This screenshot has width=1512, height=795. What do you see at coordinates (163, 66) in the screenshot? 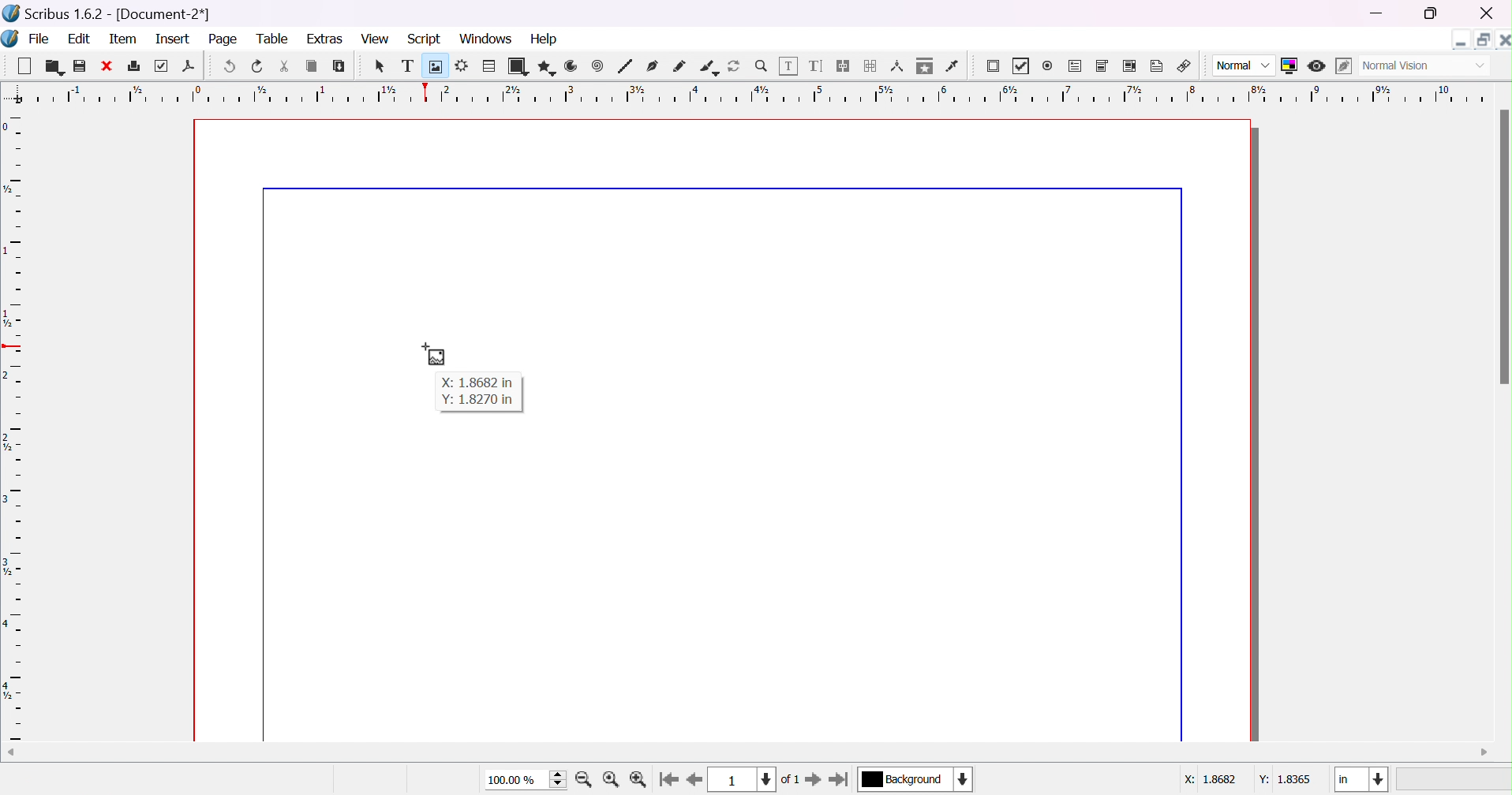
I see `preflight verifier` at bounding box center [163, 66].